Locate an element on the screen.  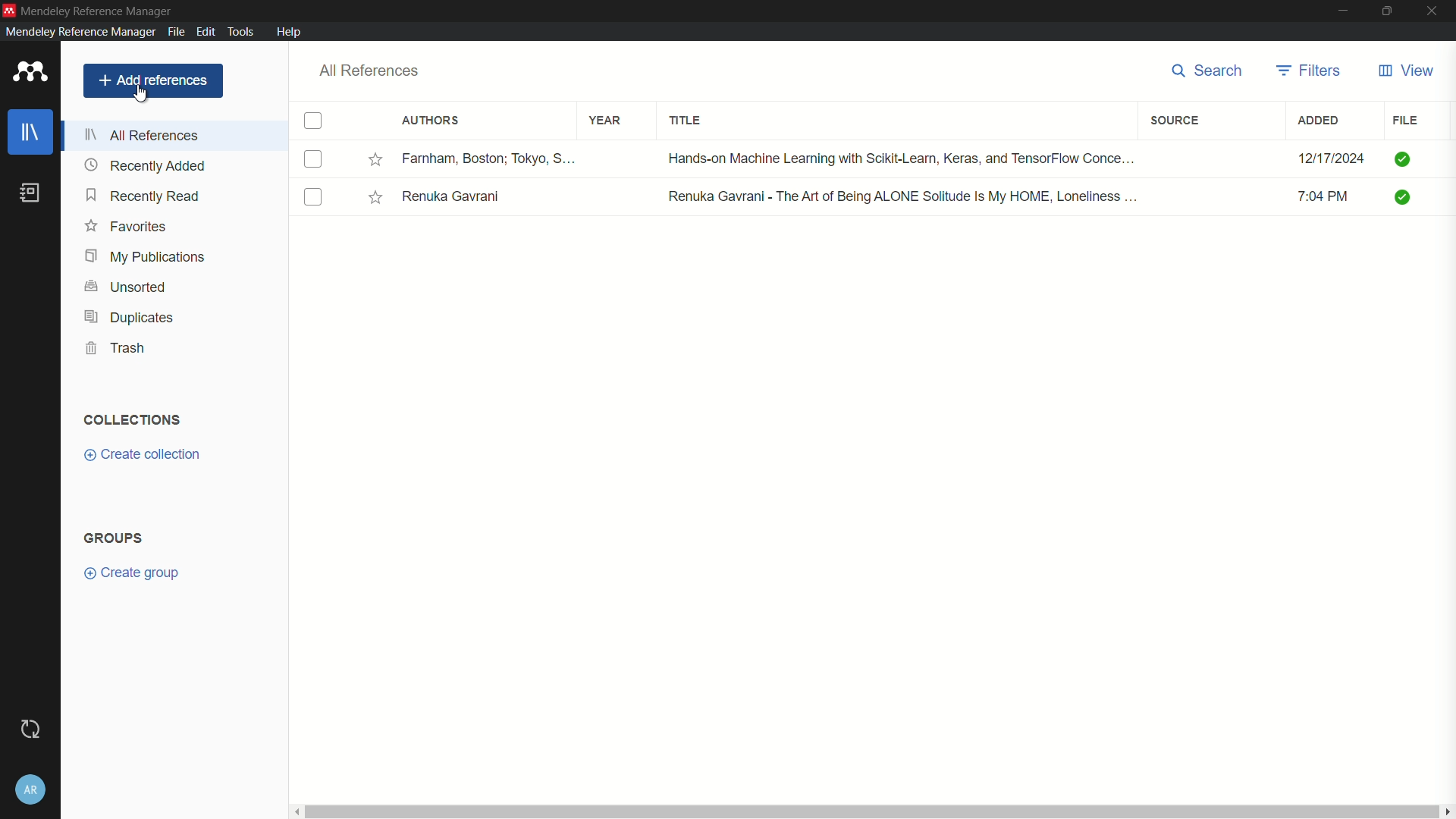
groups is located at coordinates (113, 538).